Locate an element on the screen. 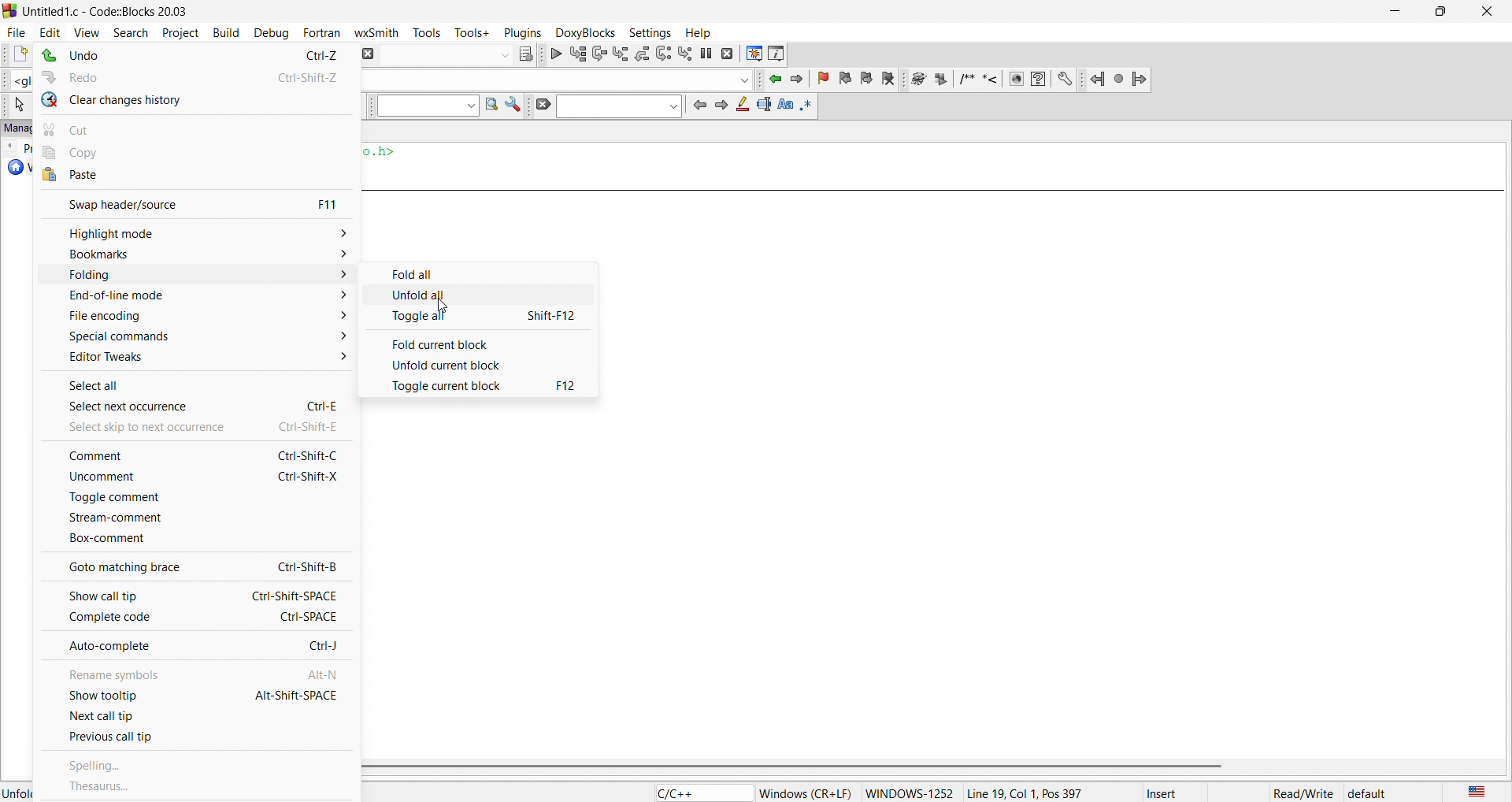 This screenshot has height=802, width=1512. Windows-1252 is located at coordinates (910, 793).